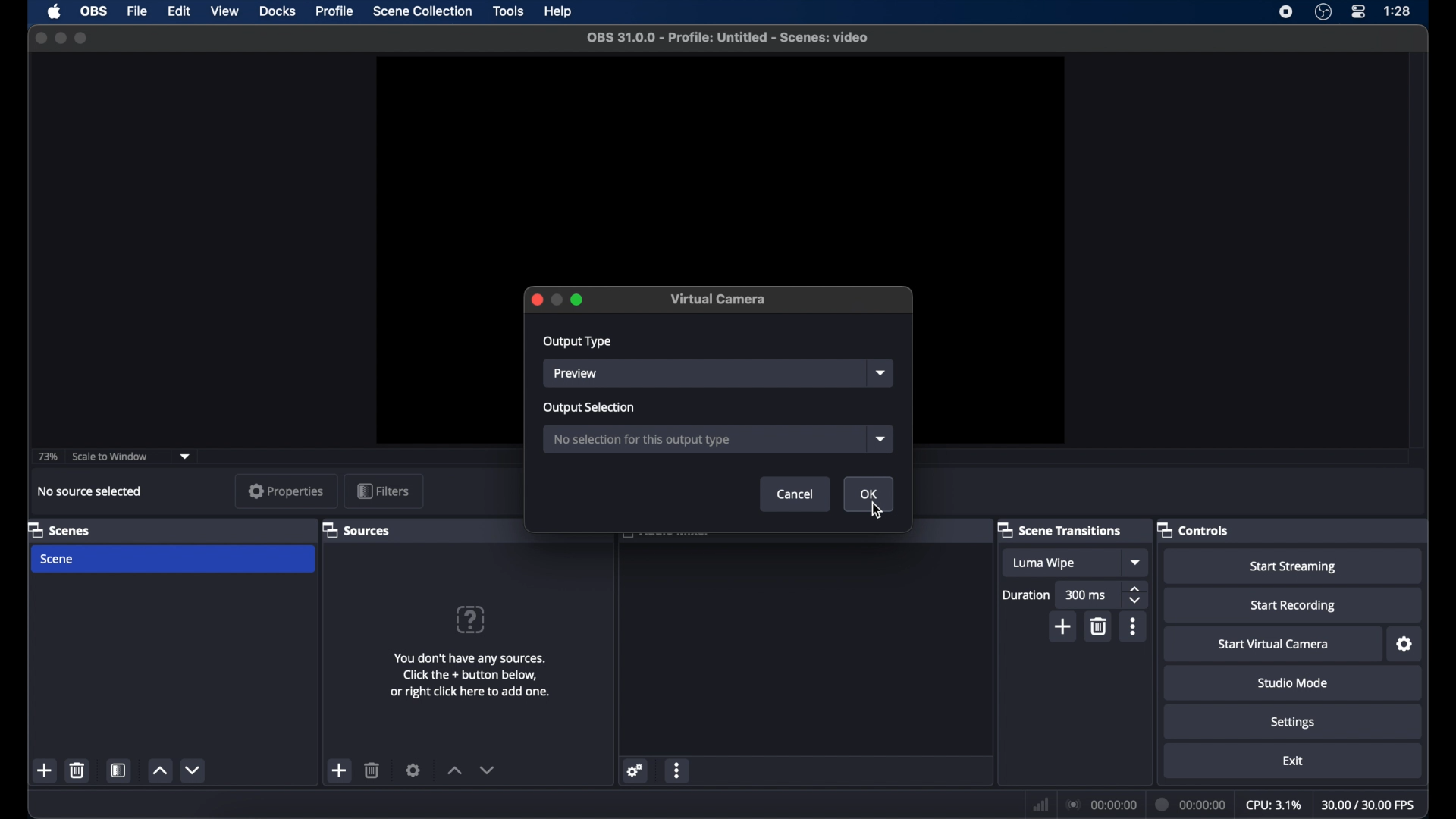  I want to click on exit, so click(1292, 761).